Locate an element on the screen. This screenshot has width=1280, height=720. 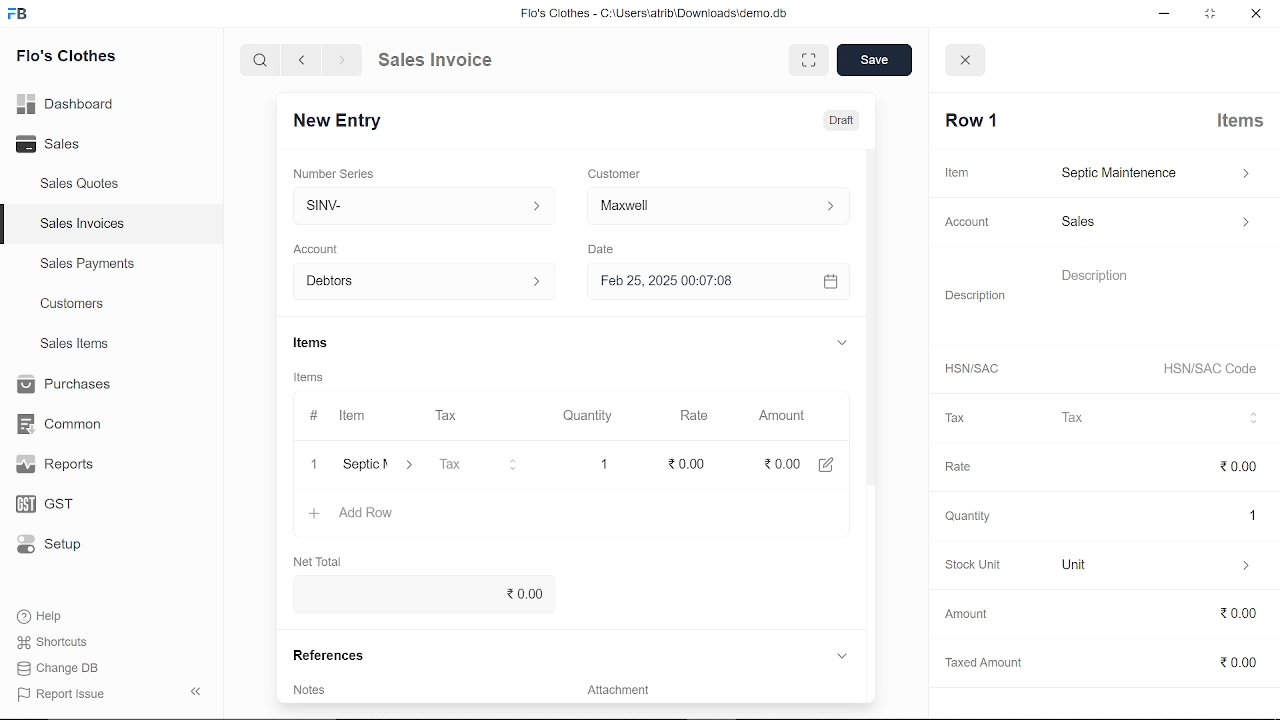
Stock Unit is located at coordinates (968, 565).